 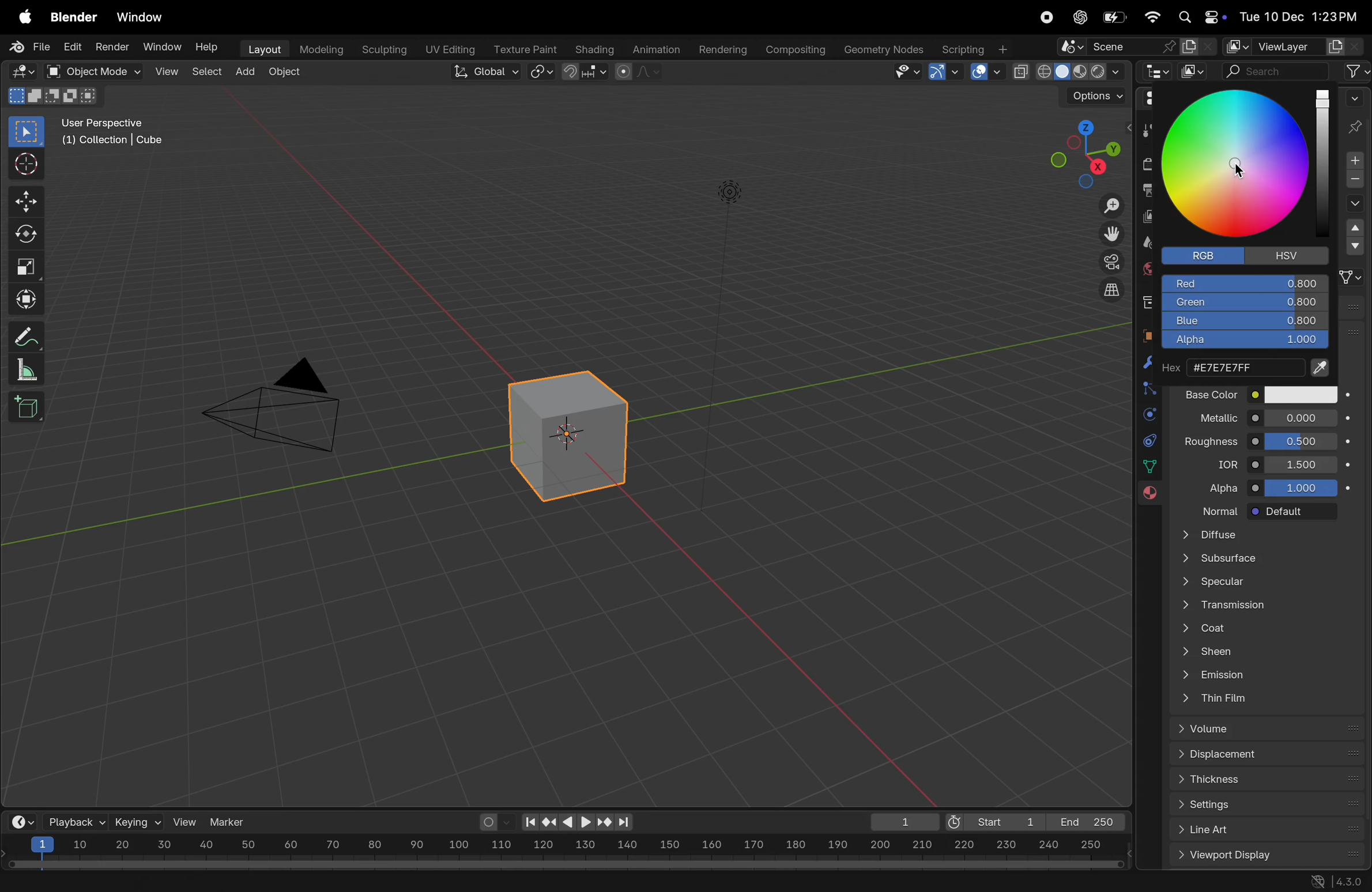 What do you see at coordinates (1106, 207) in the screenshot?
I see `zoom` at bounding box center [1106, 207].